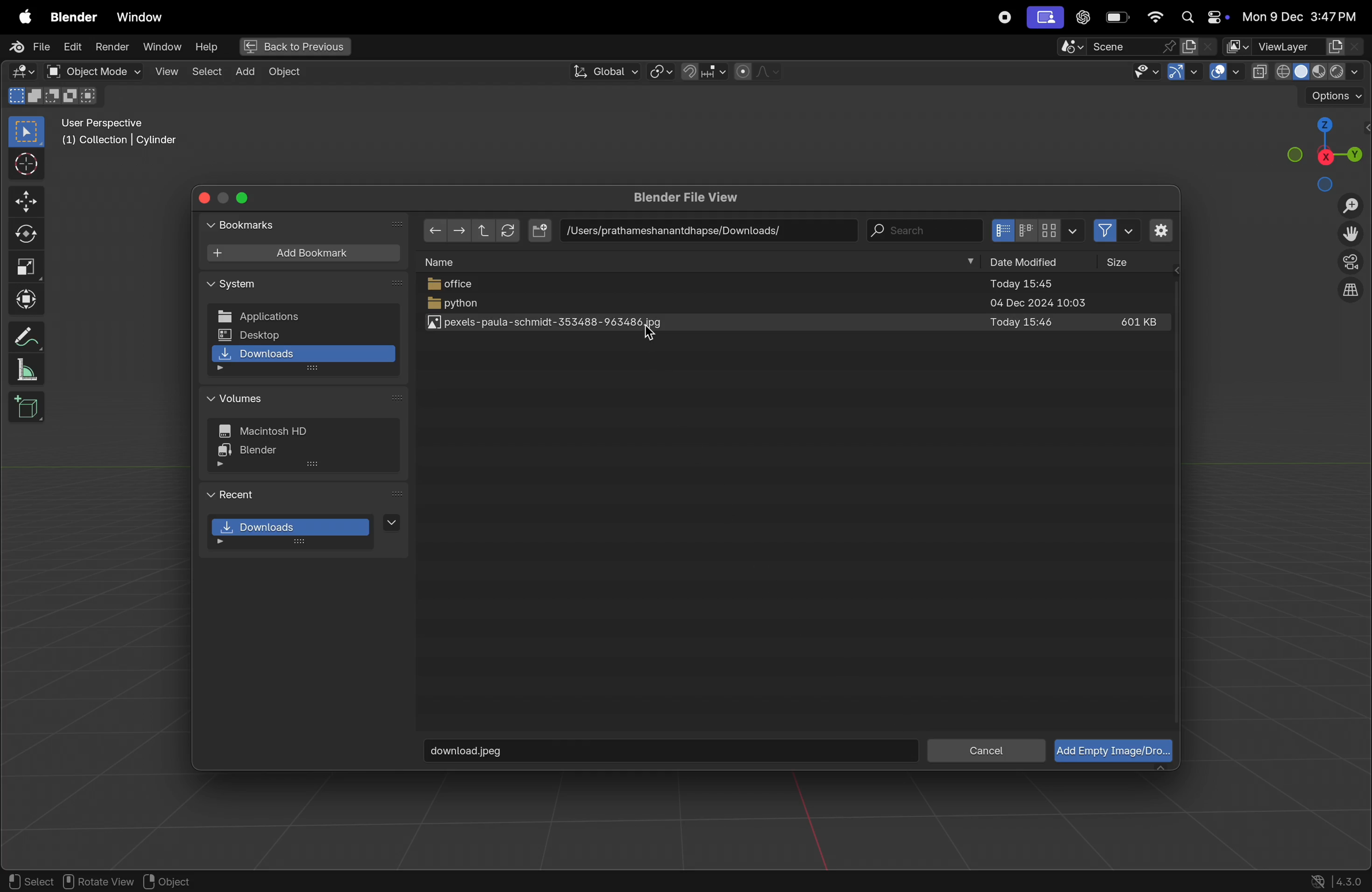 This screenshot has width=1372, height=892. I want to click on next, so click(399, 224).